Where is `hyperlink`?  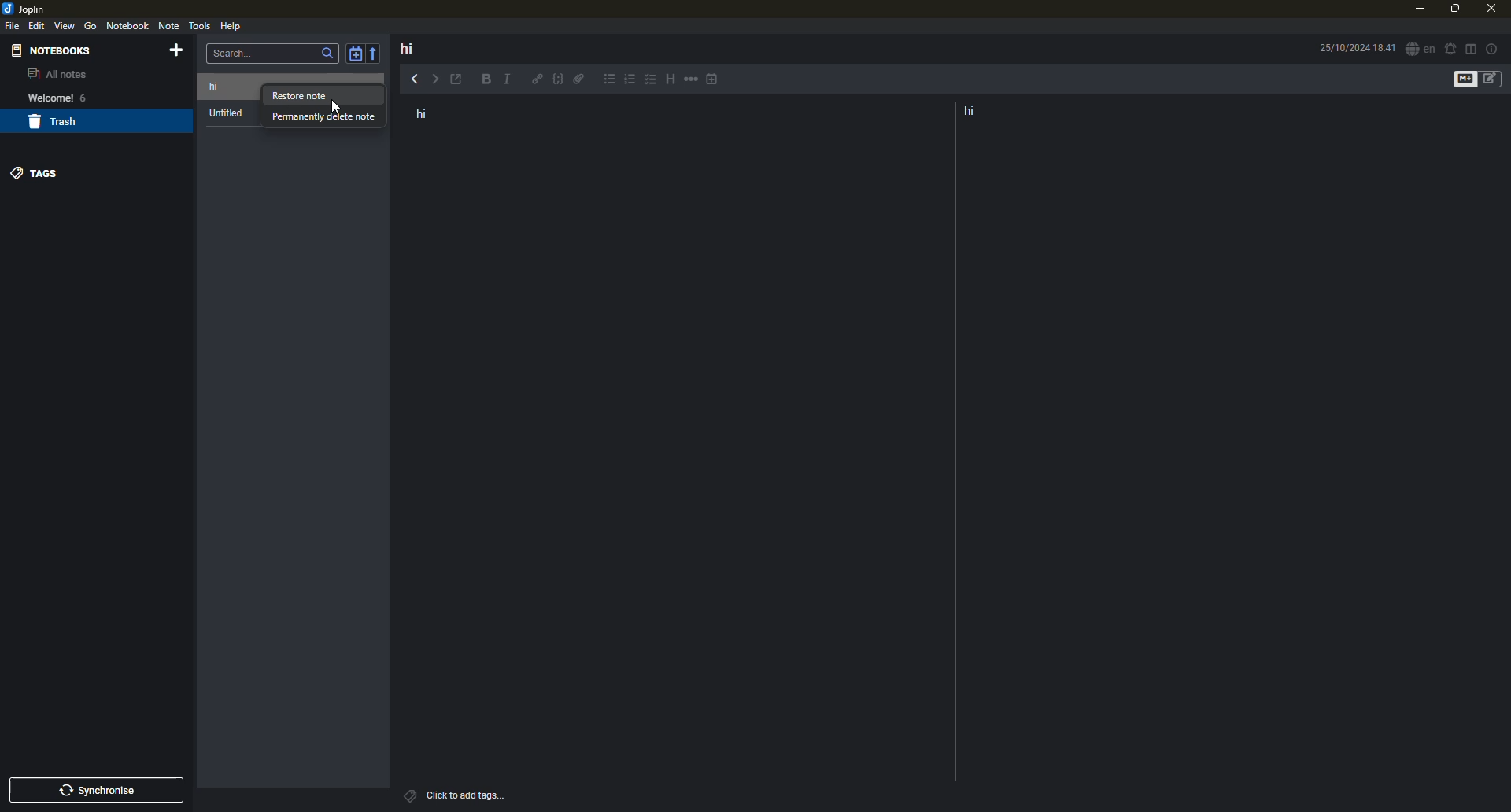
hyperlink is located at coordinates (538, 80).